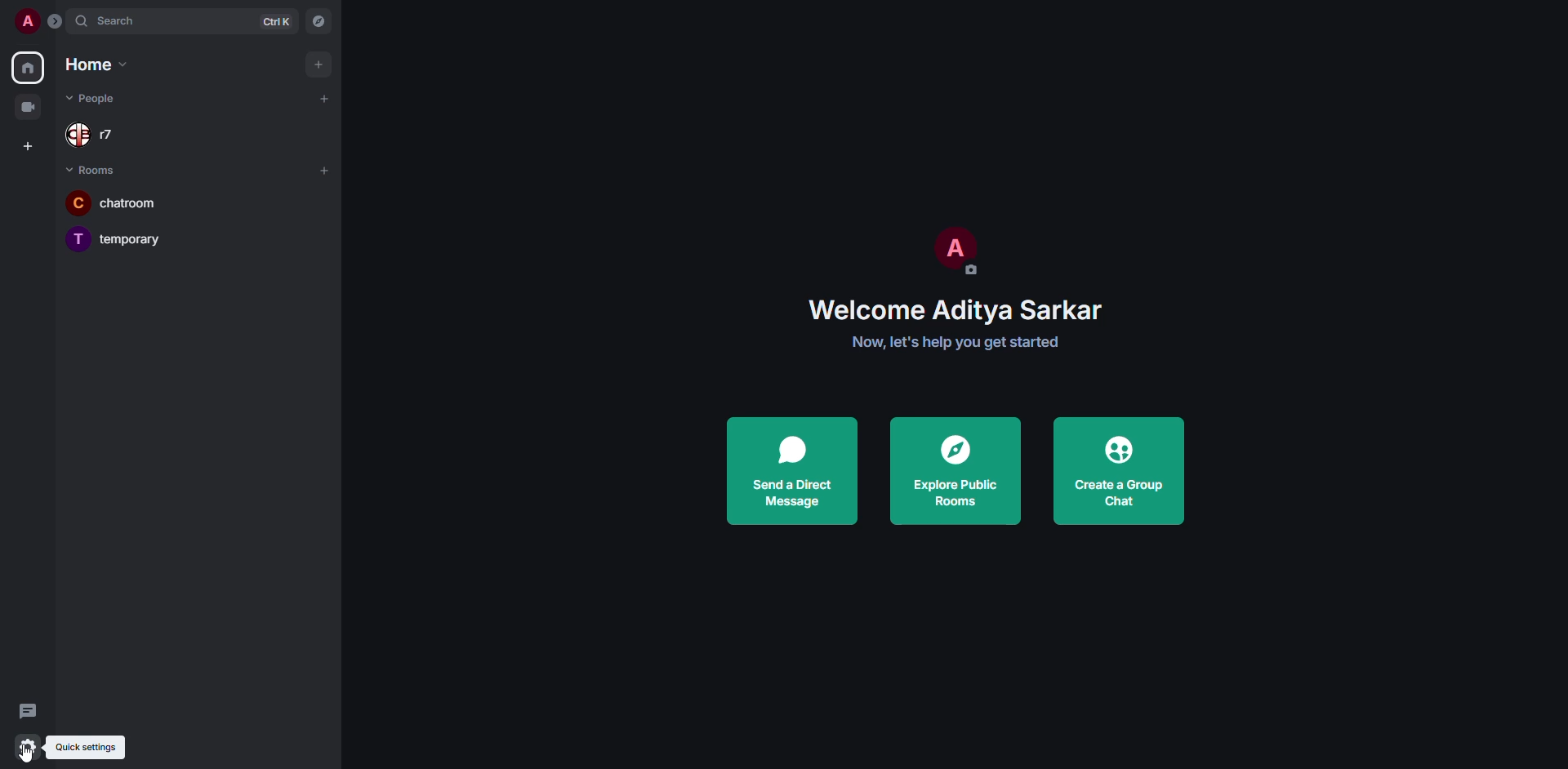 This screenshot has width=1568, height=769. Describe the element at coordinates (59, 24) in the screenshot. I see `expand` at that location.